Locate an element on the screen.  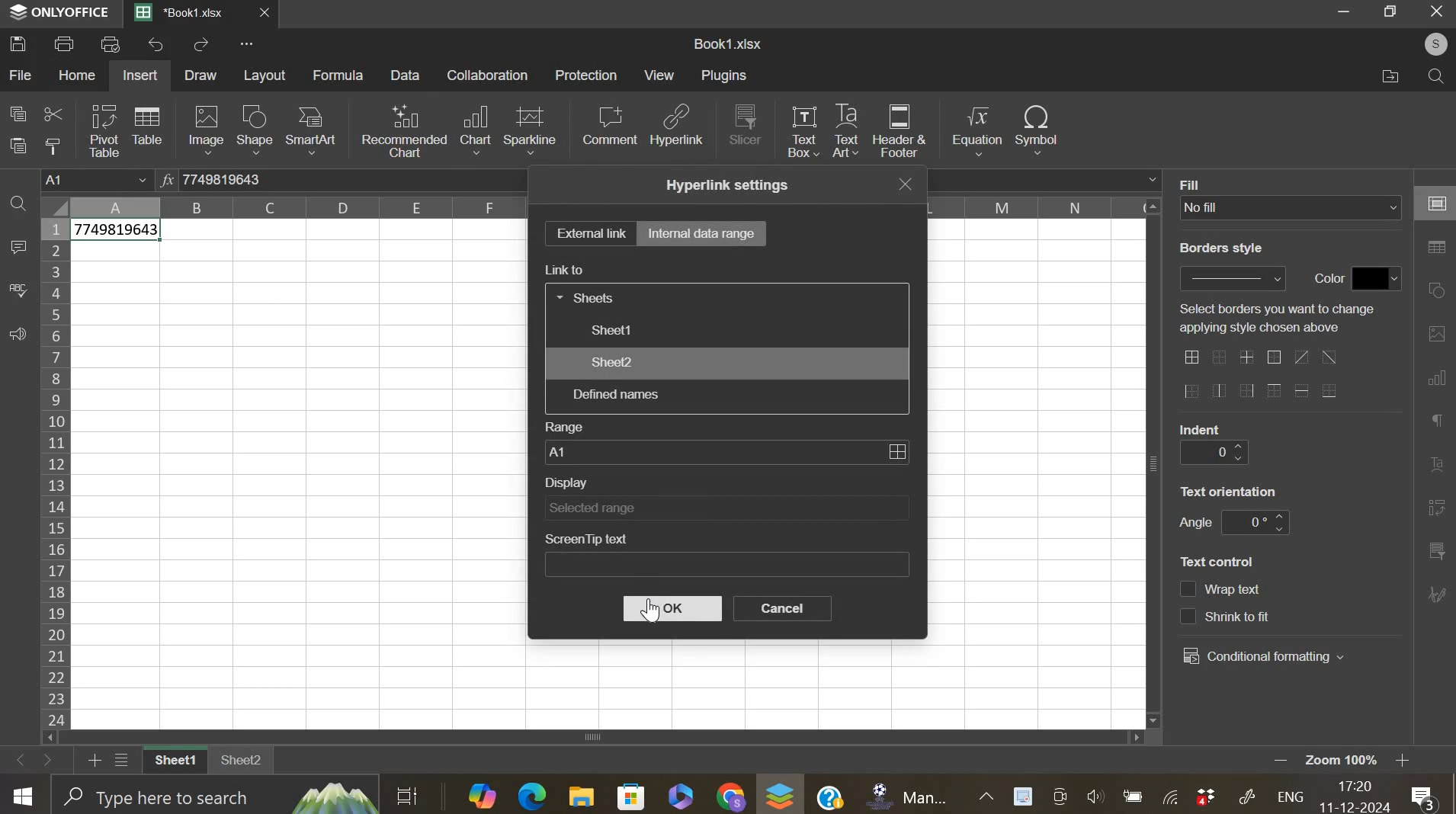
zoom is located at coordinates (1362, 761).